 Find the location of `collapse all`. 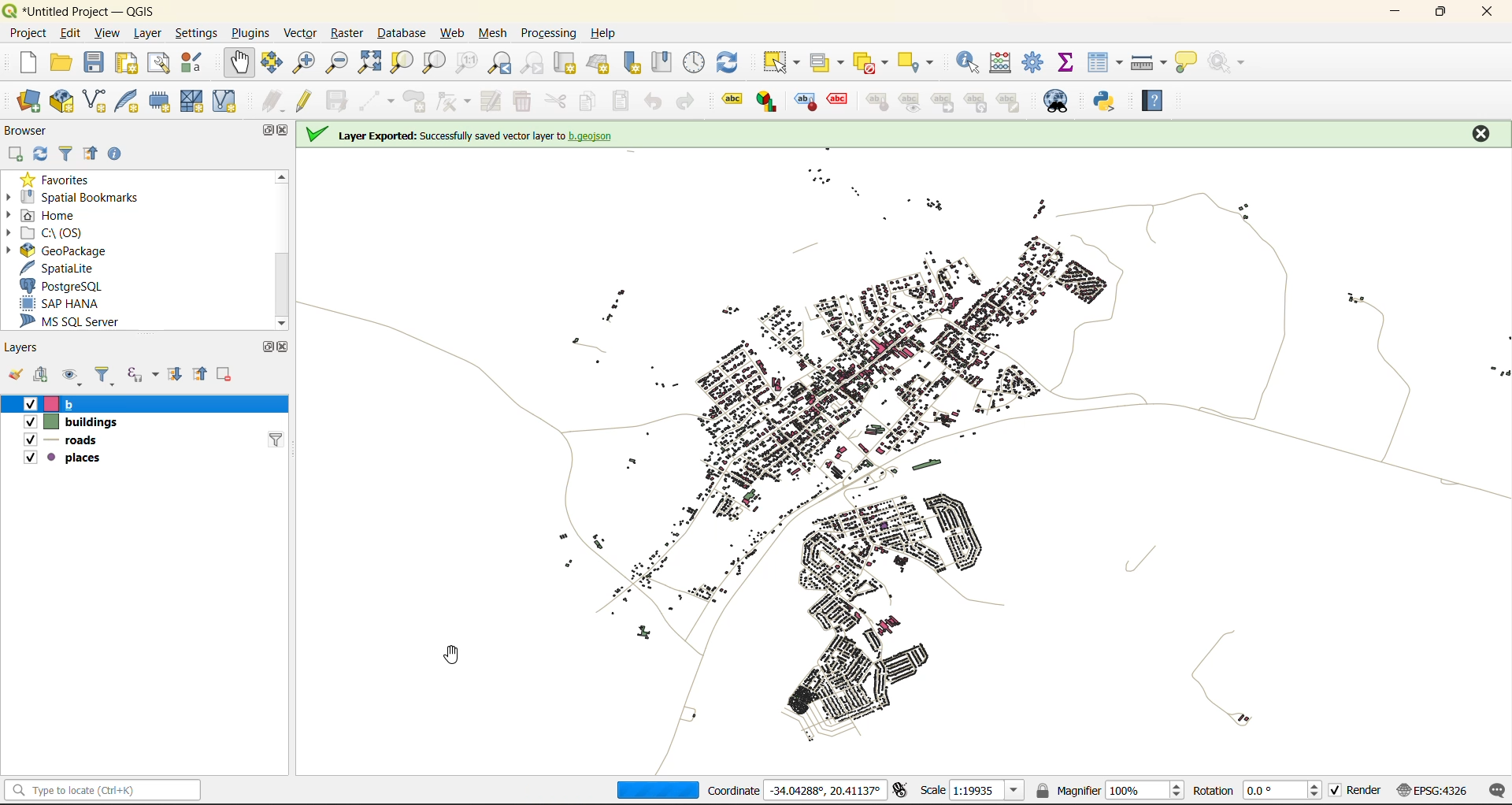

collapse all is located at coordinates (203, 374).